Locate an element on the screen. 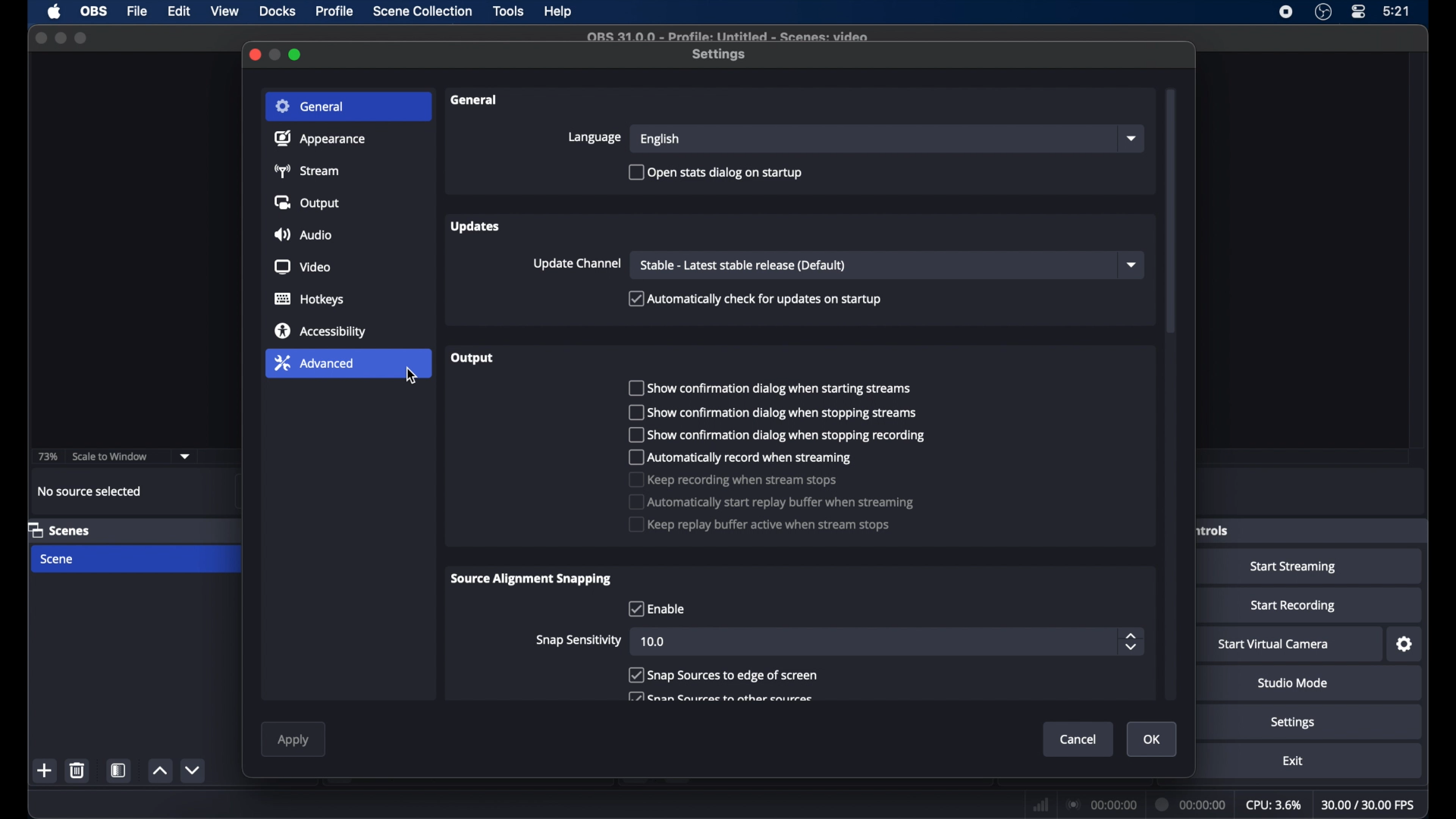 This screenshot has width=1456, height=819. help is located at coordinates (559, 12).